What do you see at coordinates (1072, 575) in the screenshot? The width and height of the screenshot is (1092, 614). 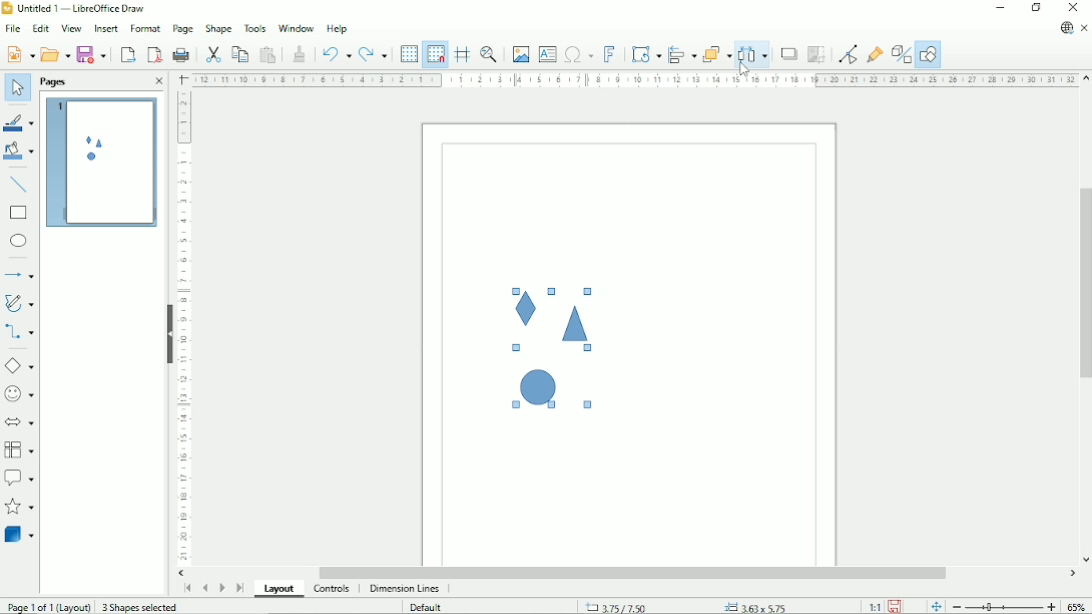 I see `Horizontal scroll button` at bounding box center [1072, 575].